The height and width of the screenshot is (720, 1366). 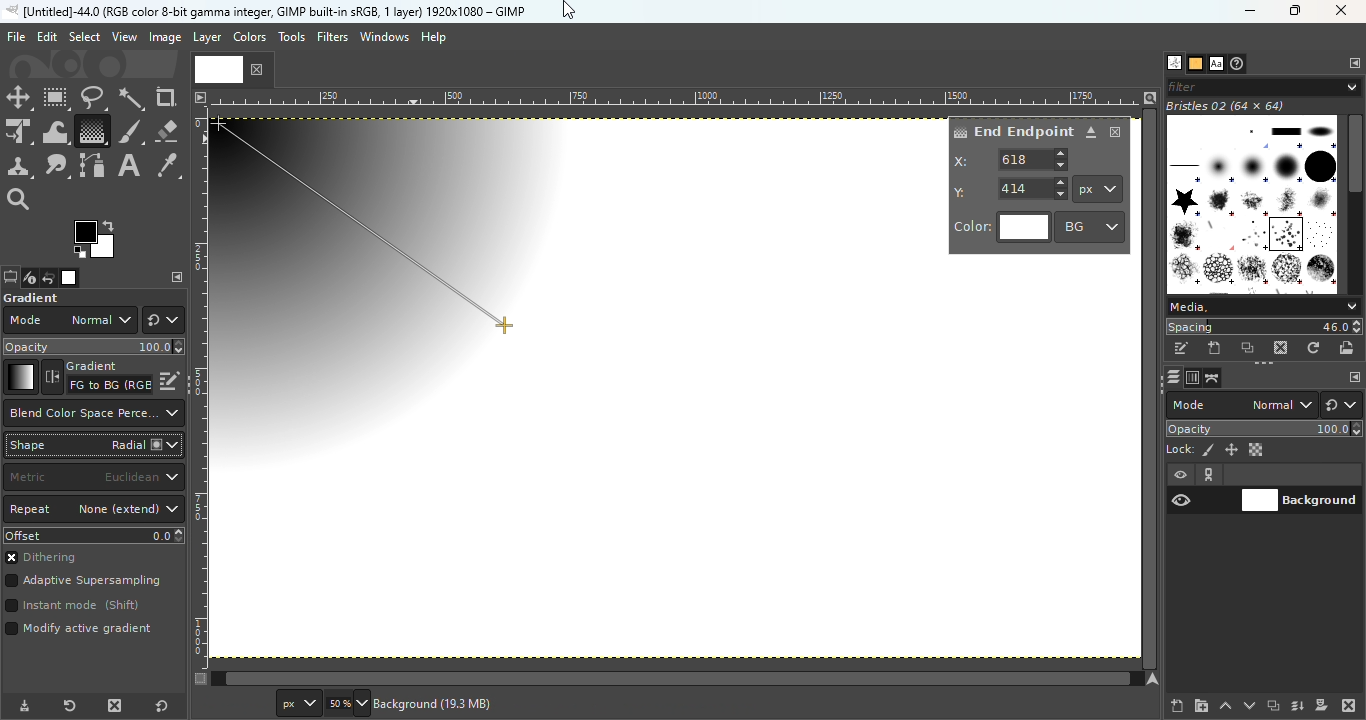 I want to click on Eraser tool, so click(x=166, y=127).